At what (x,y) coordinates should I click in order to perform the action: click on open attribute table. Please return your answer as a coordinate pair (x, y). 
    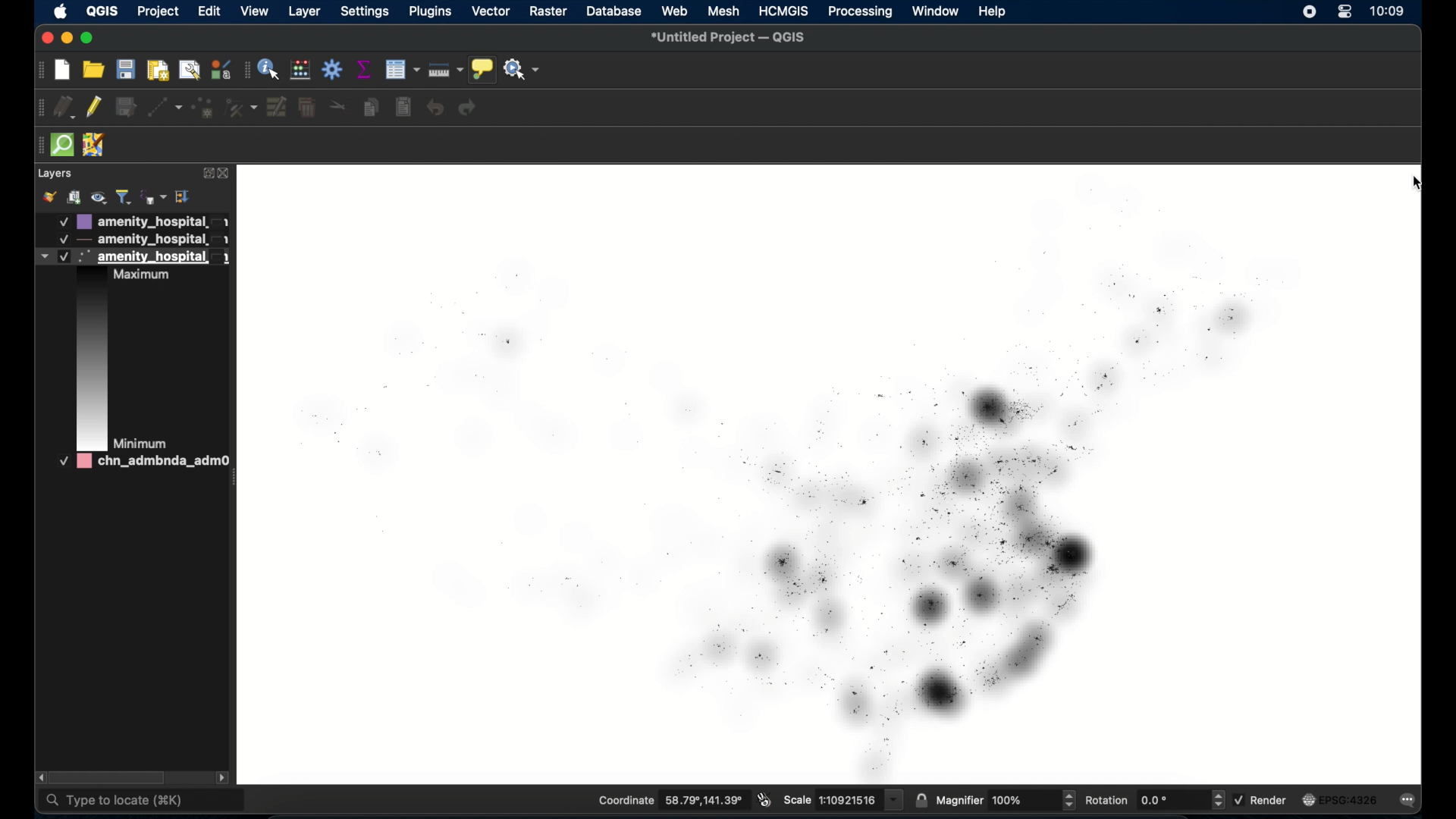
    Looking at the image, I should click on (401, 69).